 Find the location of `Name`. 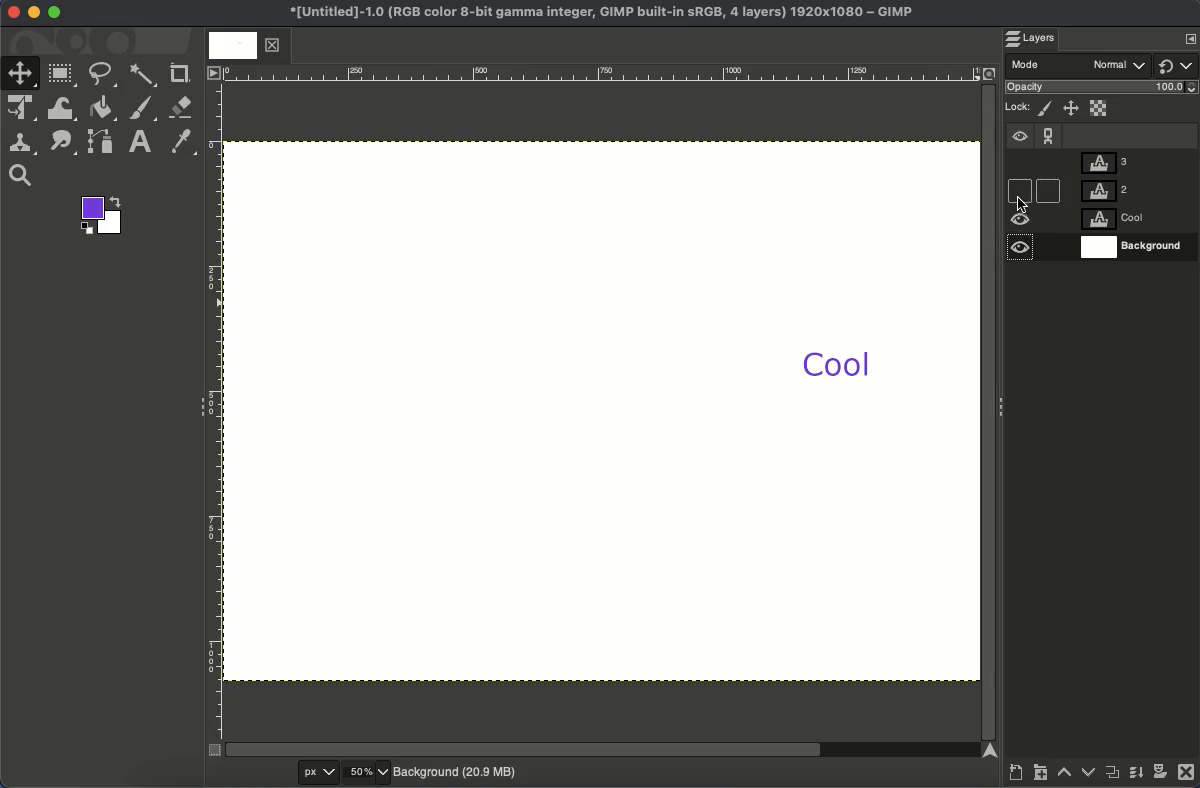

Name is located at coordinates (597, 14).